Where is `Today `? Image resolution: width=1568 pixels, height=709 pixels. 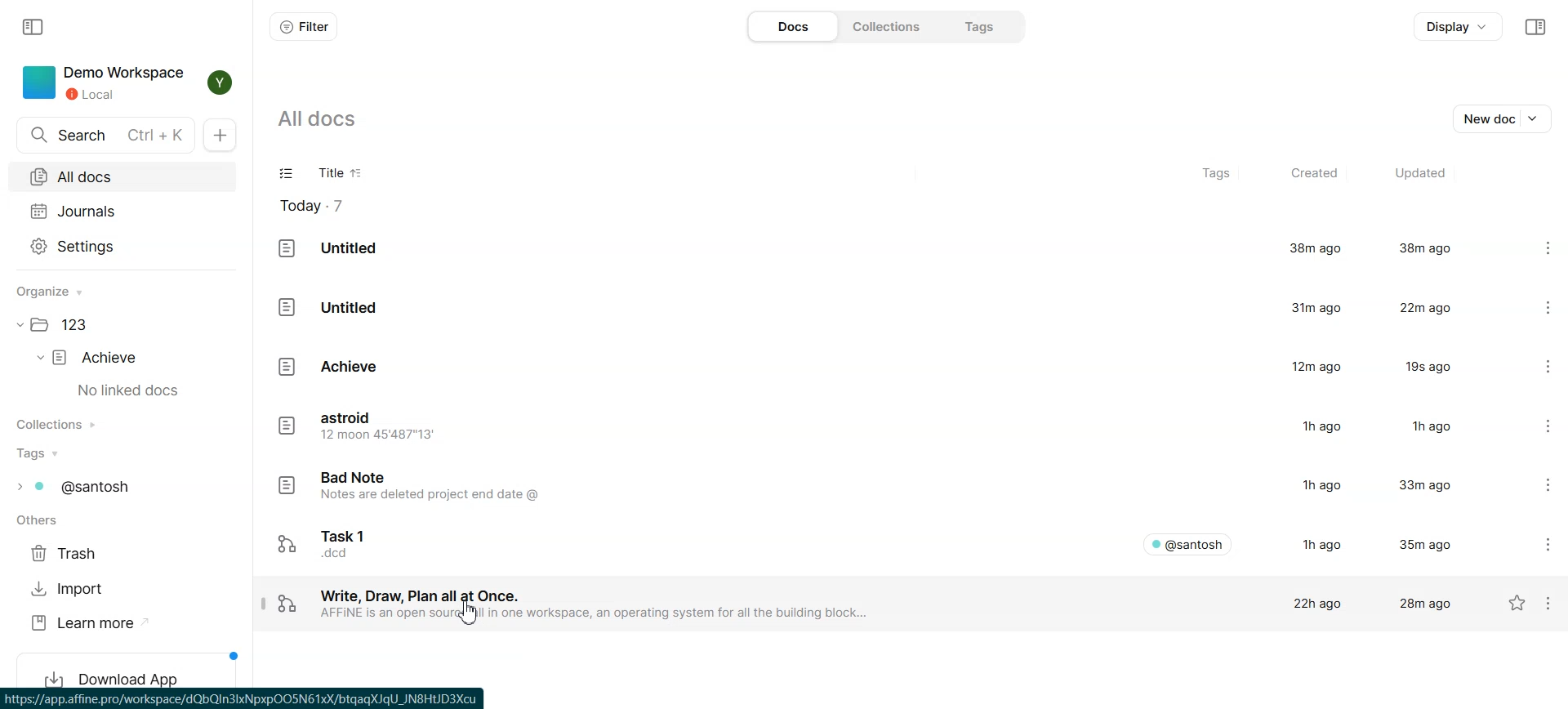 Today  is located at coordinates (321, 206).